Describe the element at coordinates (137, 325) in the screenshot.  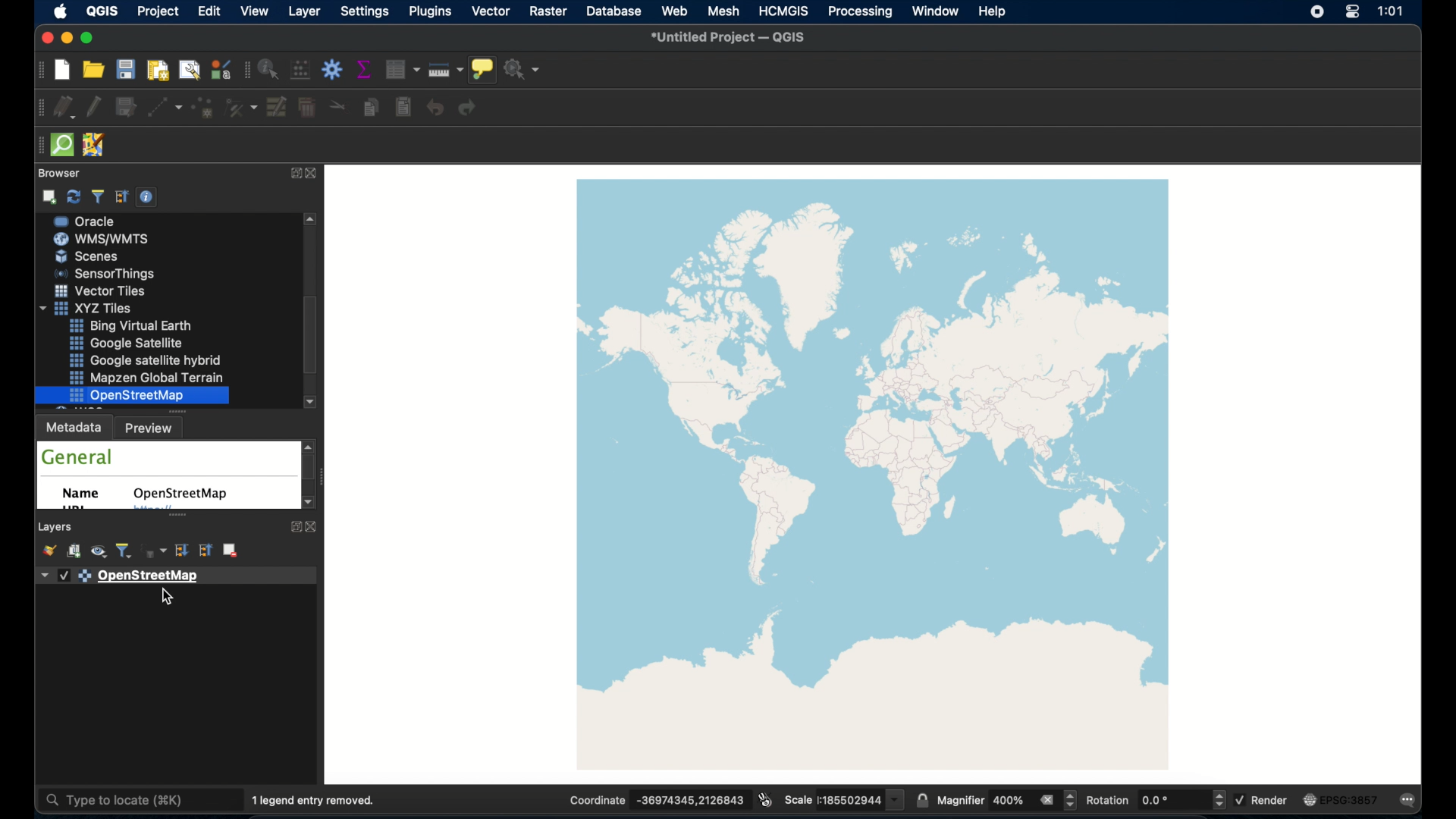
I see `sensor things` at that location.